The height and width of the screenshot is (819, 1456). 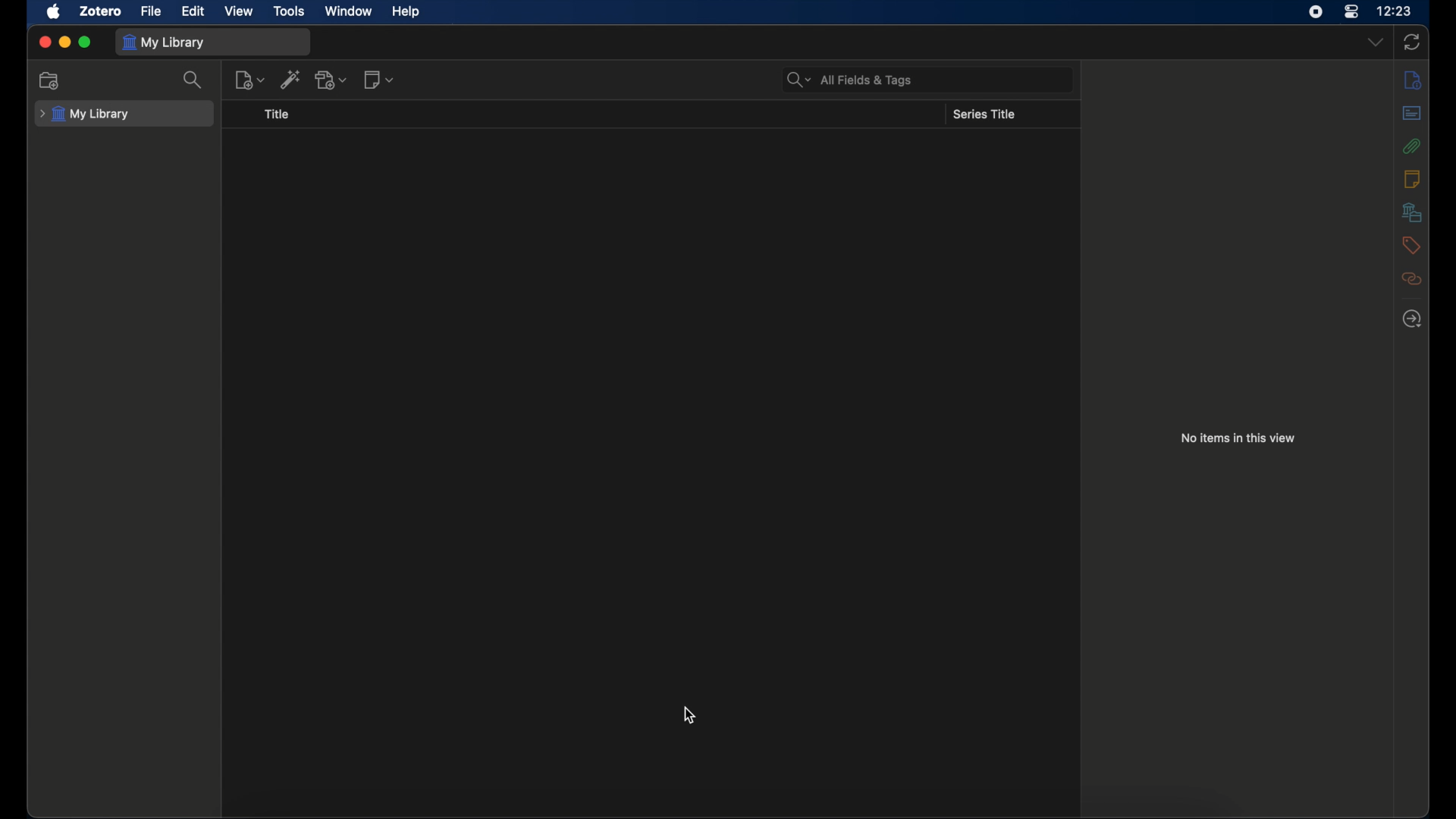 I want to click on search, so click(x=194, y=80).